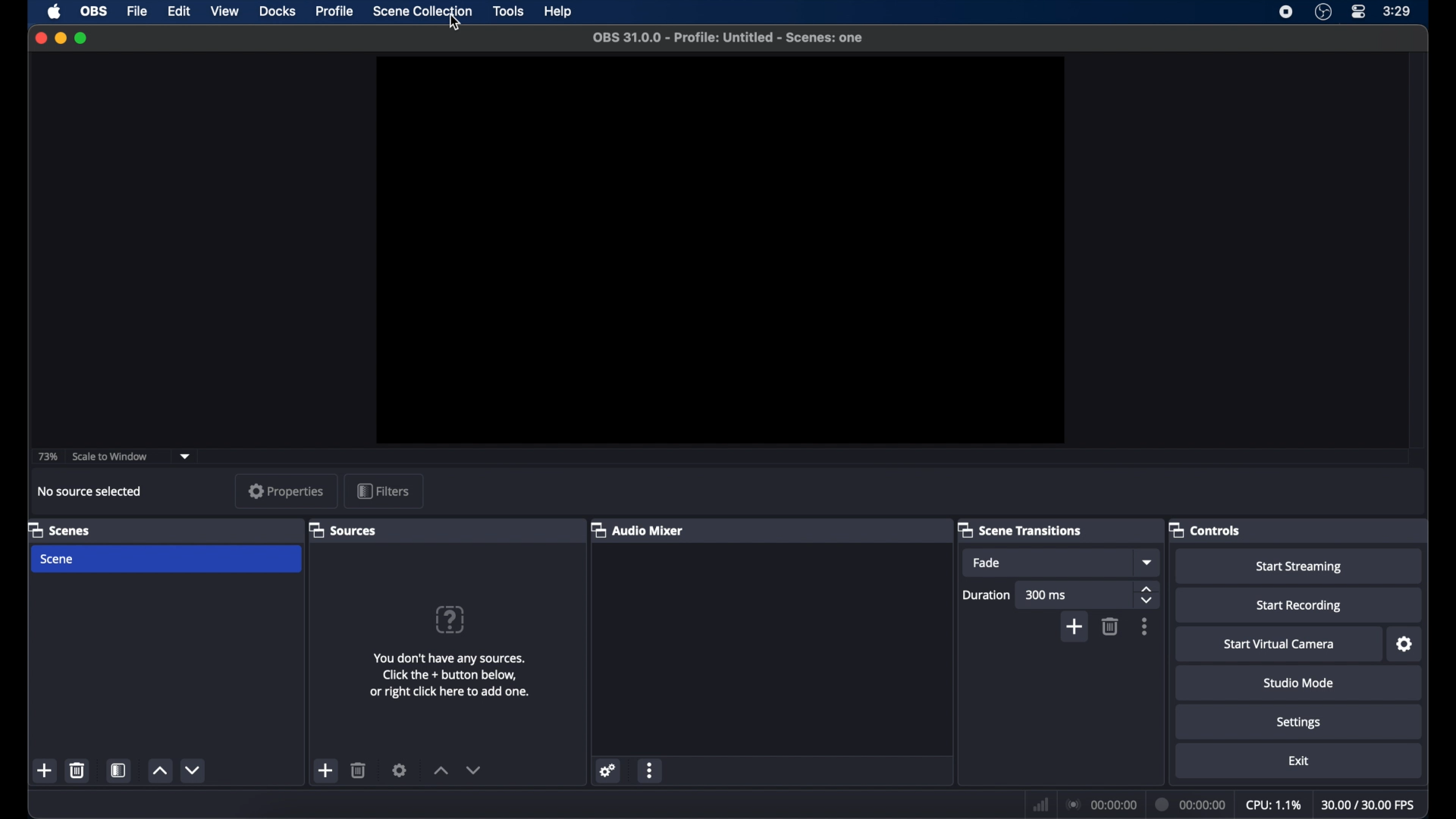  Describe the element at coordinates (1359, 11) in the screenshot. I see `control center` at that location.